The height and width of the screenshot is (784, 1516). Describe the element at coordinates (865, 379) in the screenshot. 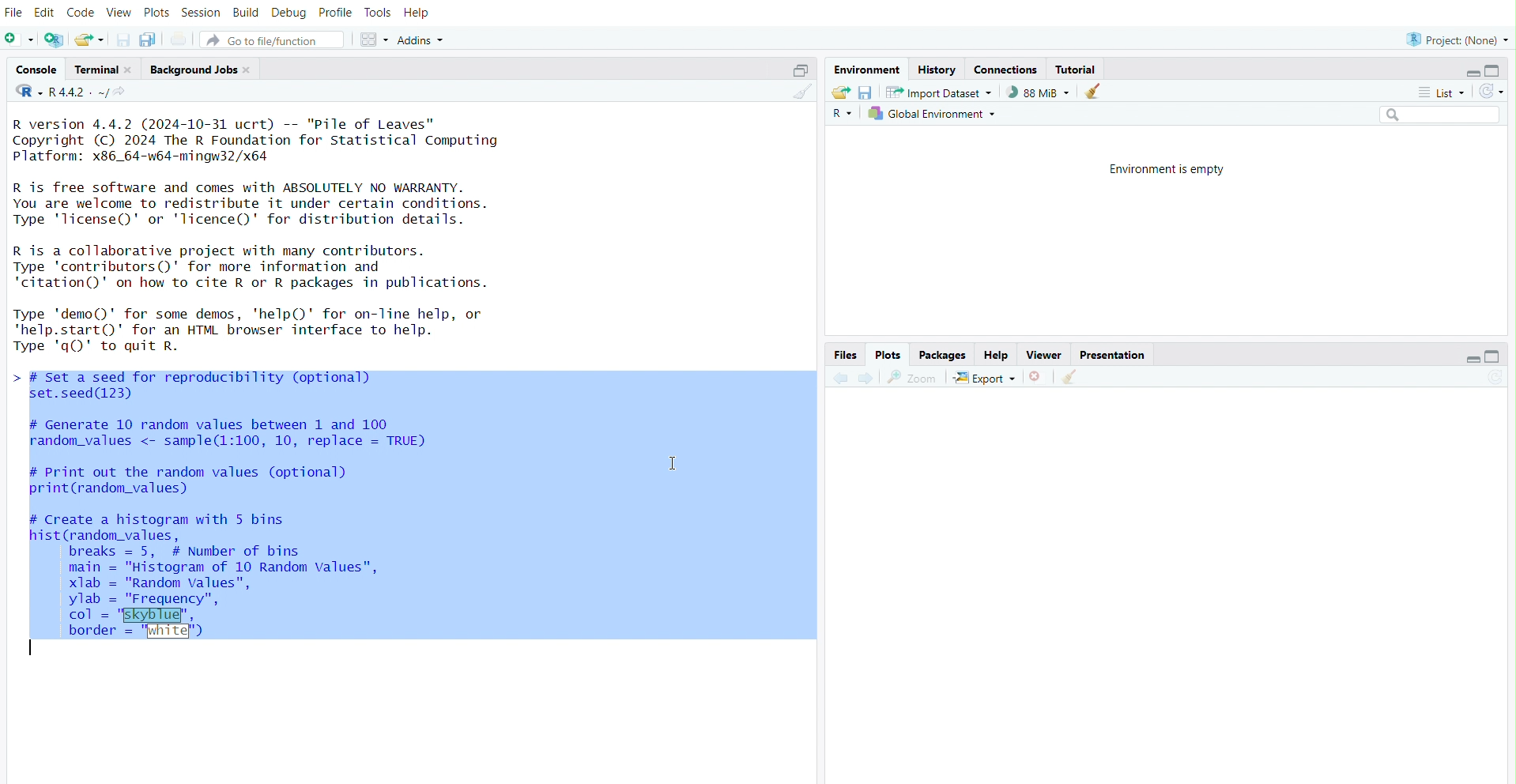

I see `next plot` at that location.